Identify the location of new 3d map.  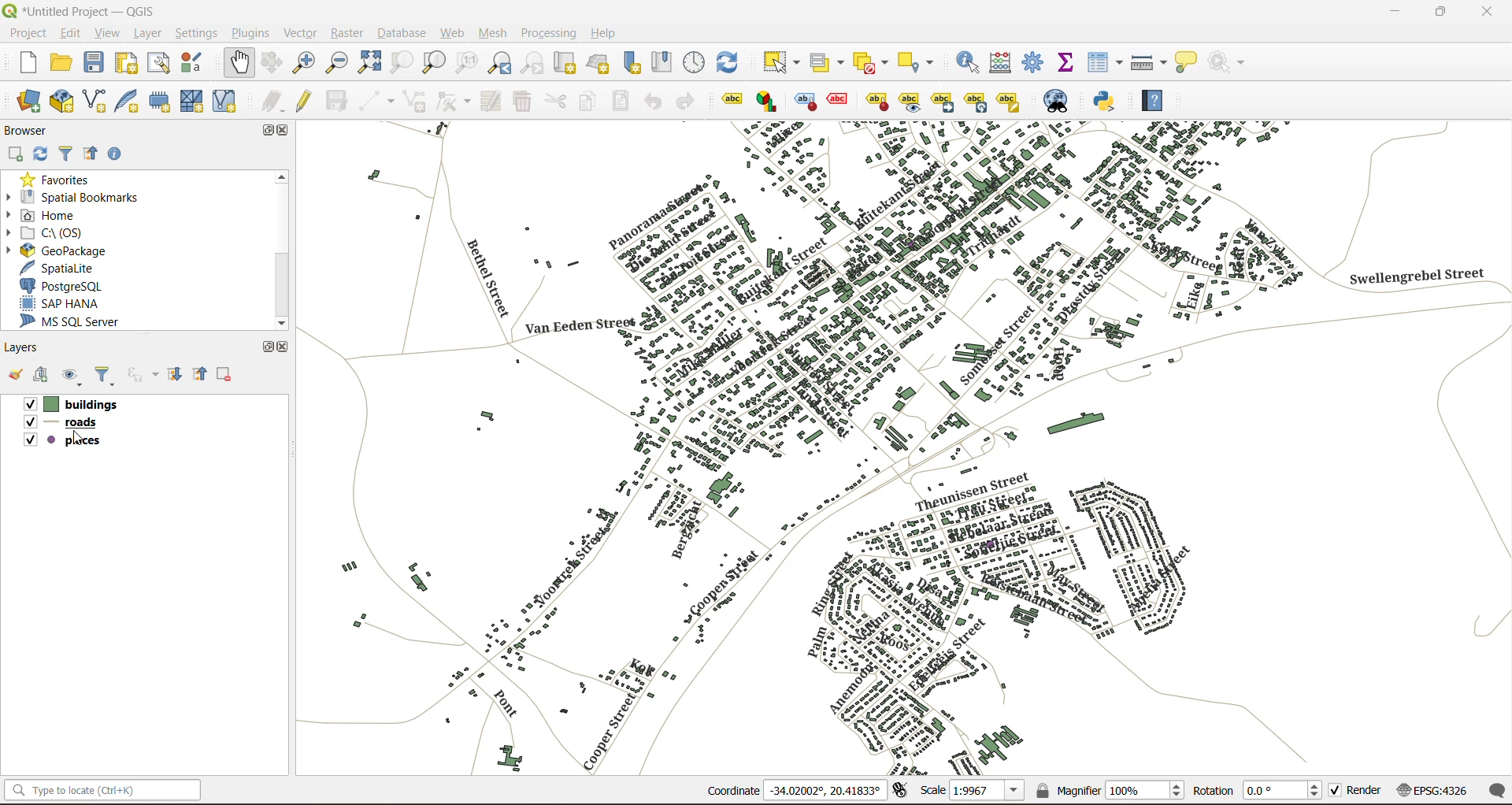
(596, 63).